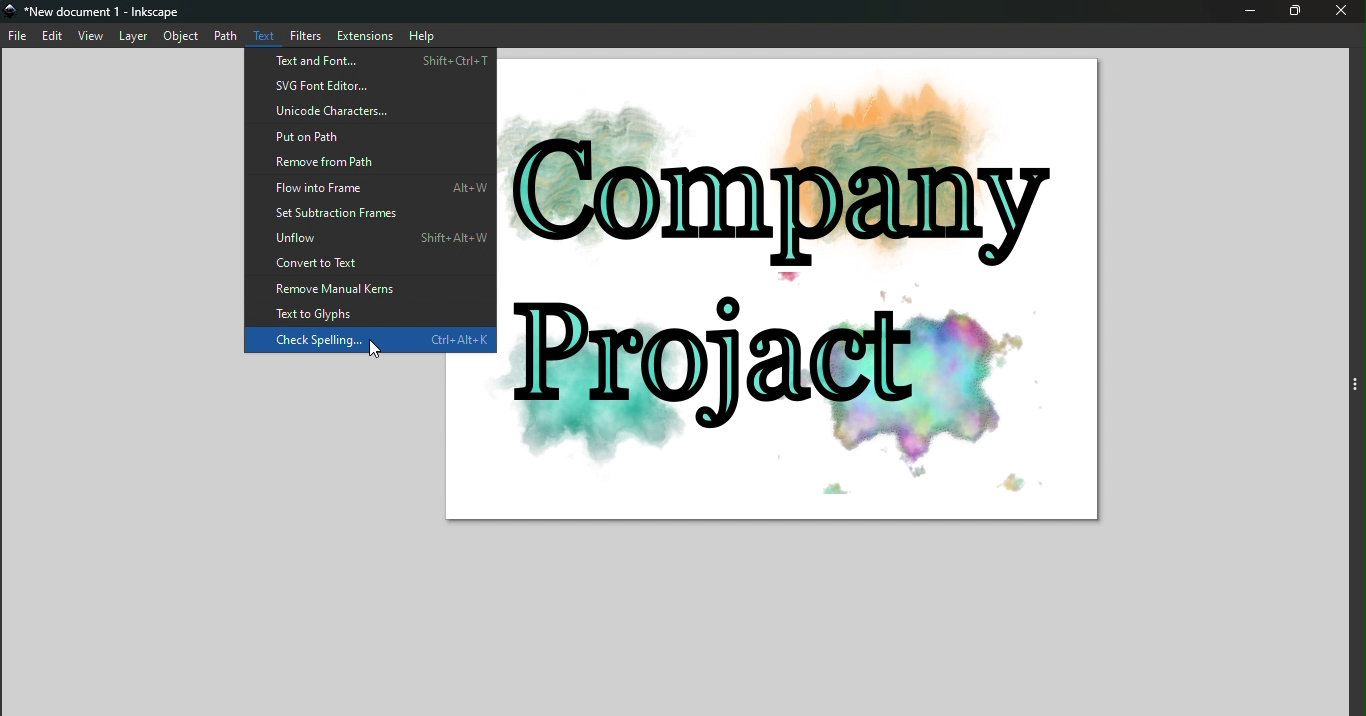  What do you see at coordinates (376, 350) in the screenshot?
I see `cursor` at bounding box center [376, 350].